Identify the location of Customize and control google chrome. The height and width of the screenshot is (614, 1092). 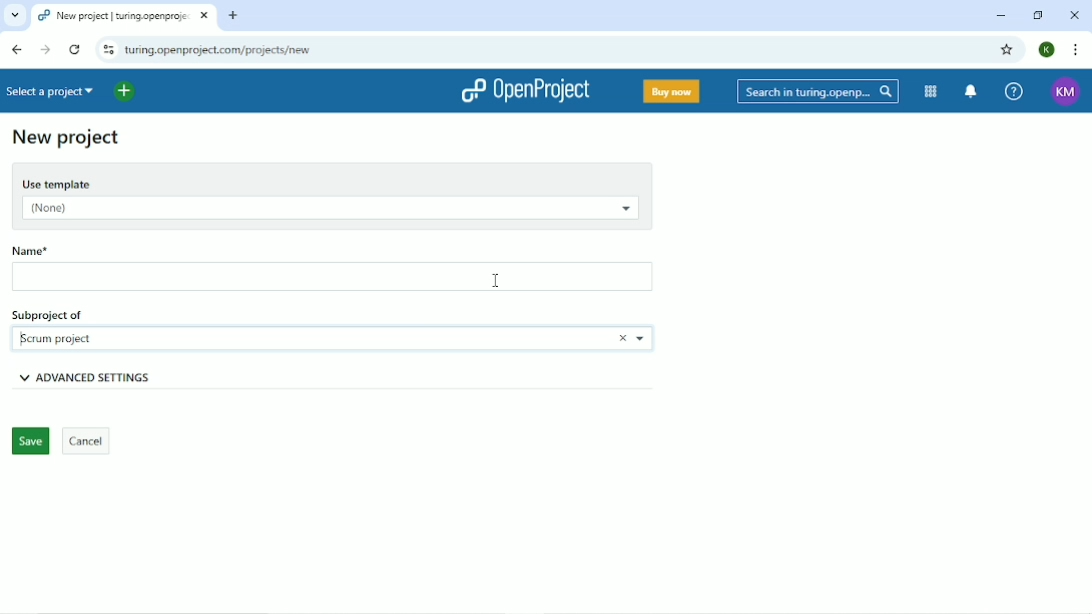
(1076, 49).